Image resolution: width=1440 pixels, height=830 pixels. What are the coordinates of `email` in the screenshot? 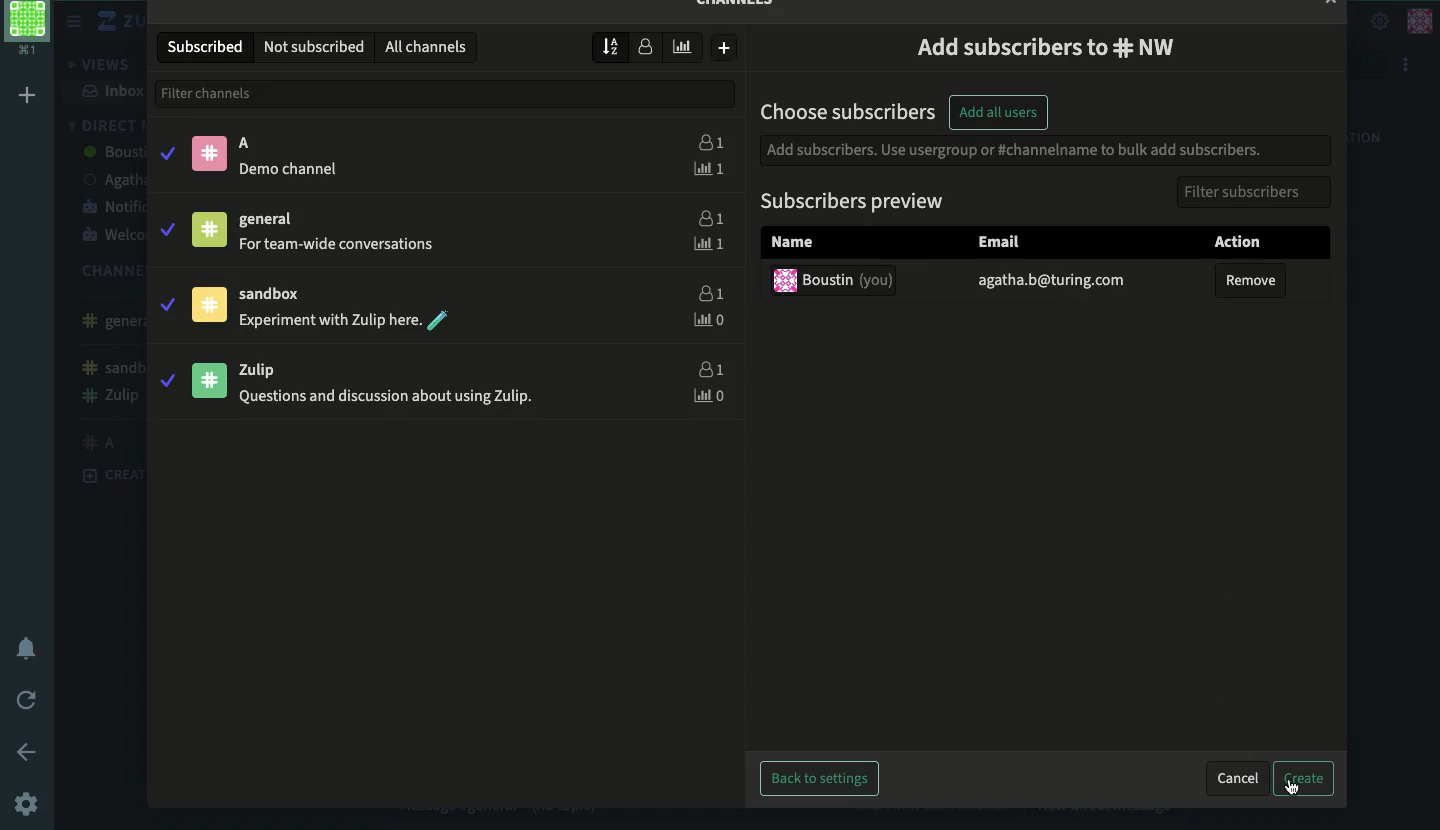 It's located at (1053, 282).